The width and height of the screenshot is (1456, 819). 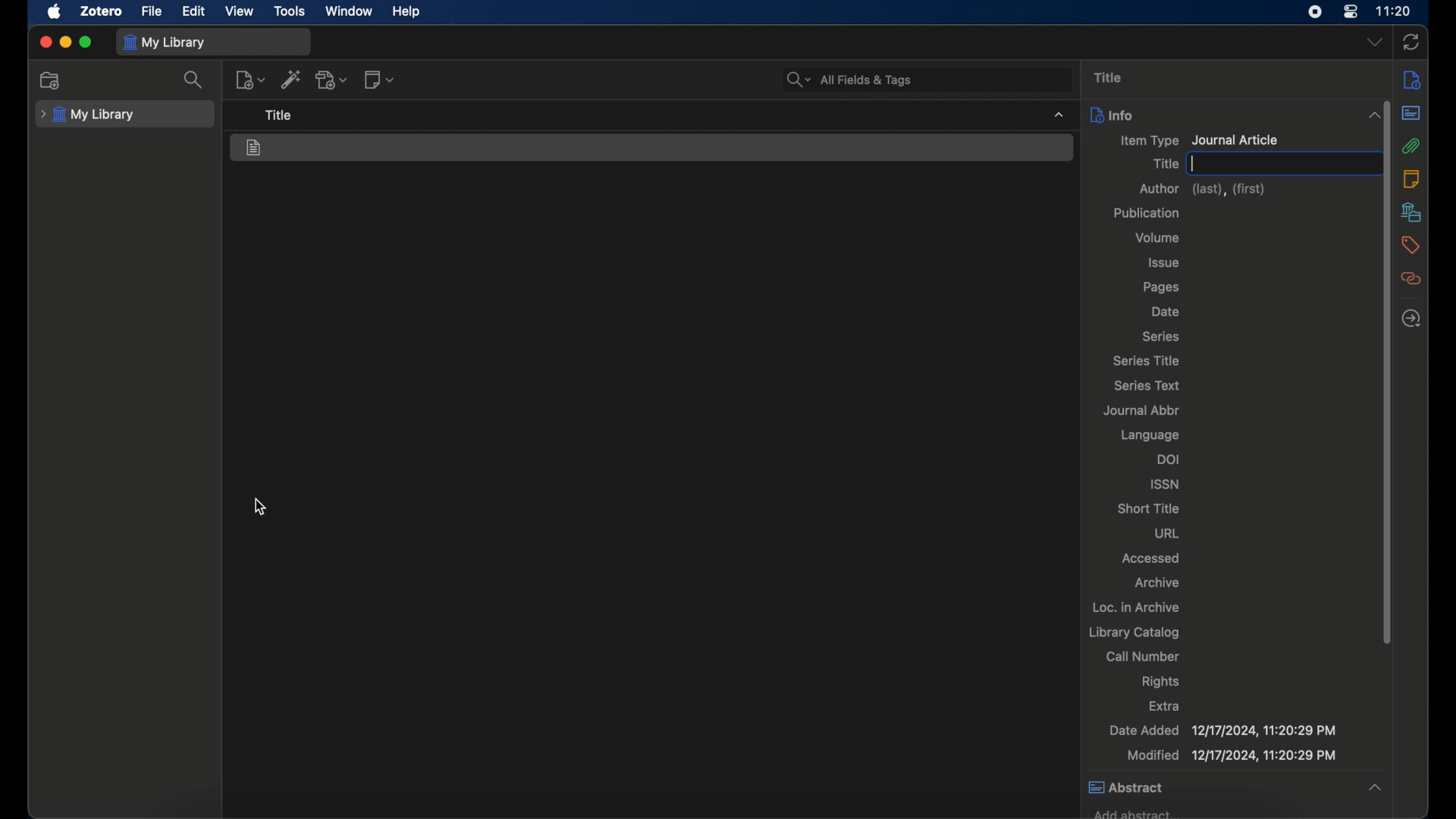 What do you see at coordinates (1204, 191) in the screenshot?
I see `author` at bounding box center [1204, 191].